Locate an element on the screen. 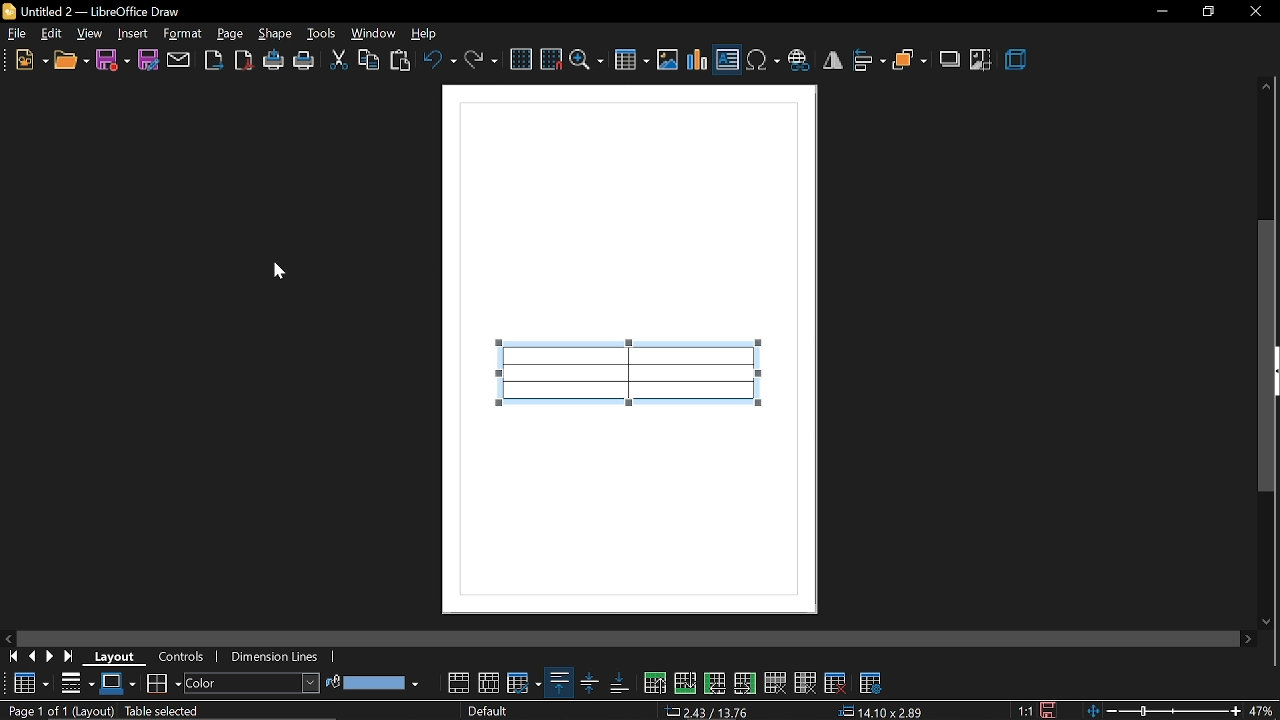 This screenshot has height=720, width=1280. properties is located at coordinates (868, 687).